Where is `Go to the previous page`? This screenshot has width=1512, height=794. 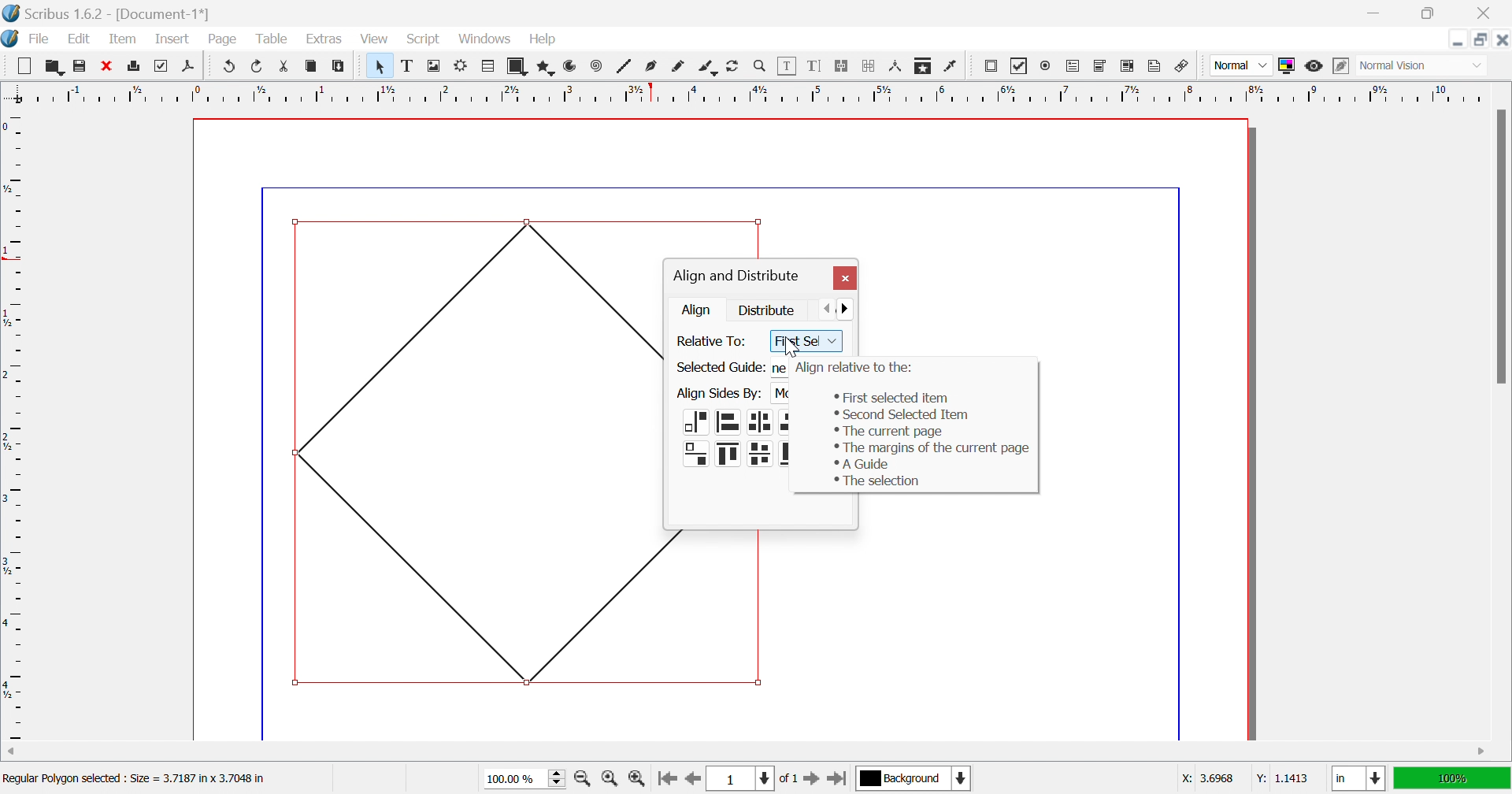 Go to the previous page is located at coordinates (691, 784).